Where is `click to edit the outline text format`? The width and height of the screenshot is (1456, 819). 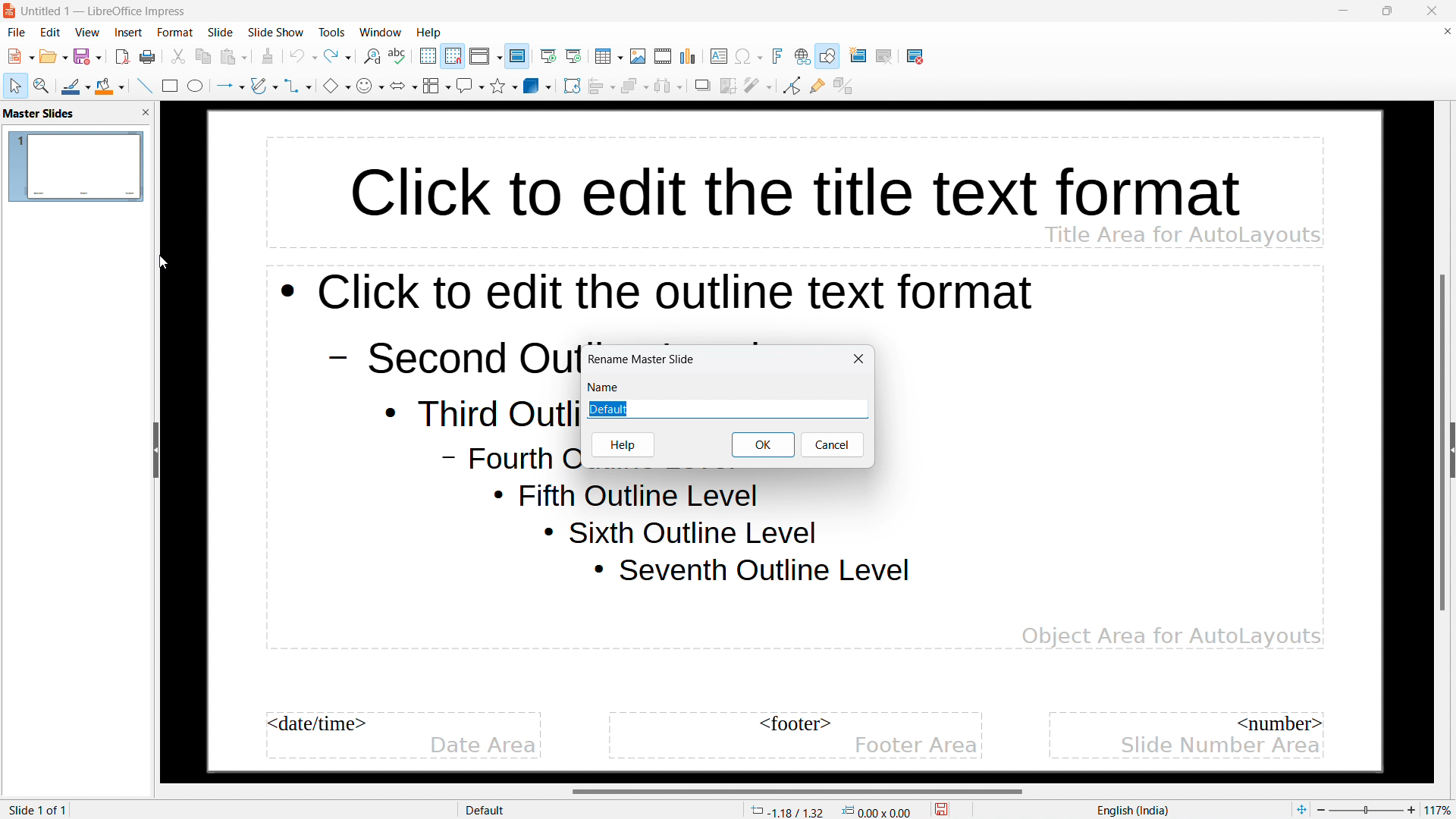 click to edit the outline text format is located at coordinates (664, 296).